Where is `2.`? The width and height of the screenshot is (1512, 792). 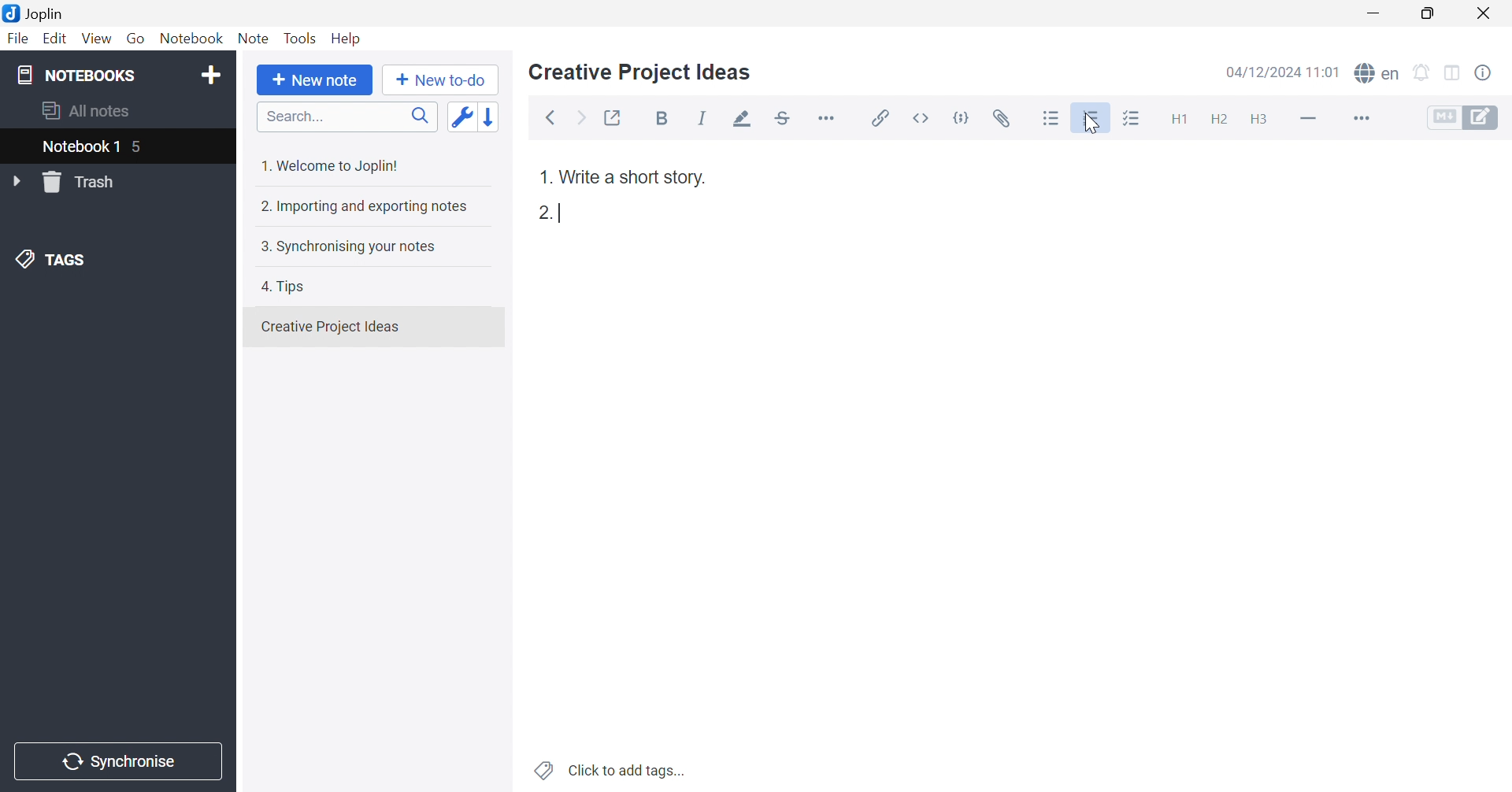
2. is located at coordinates (549, 215).